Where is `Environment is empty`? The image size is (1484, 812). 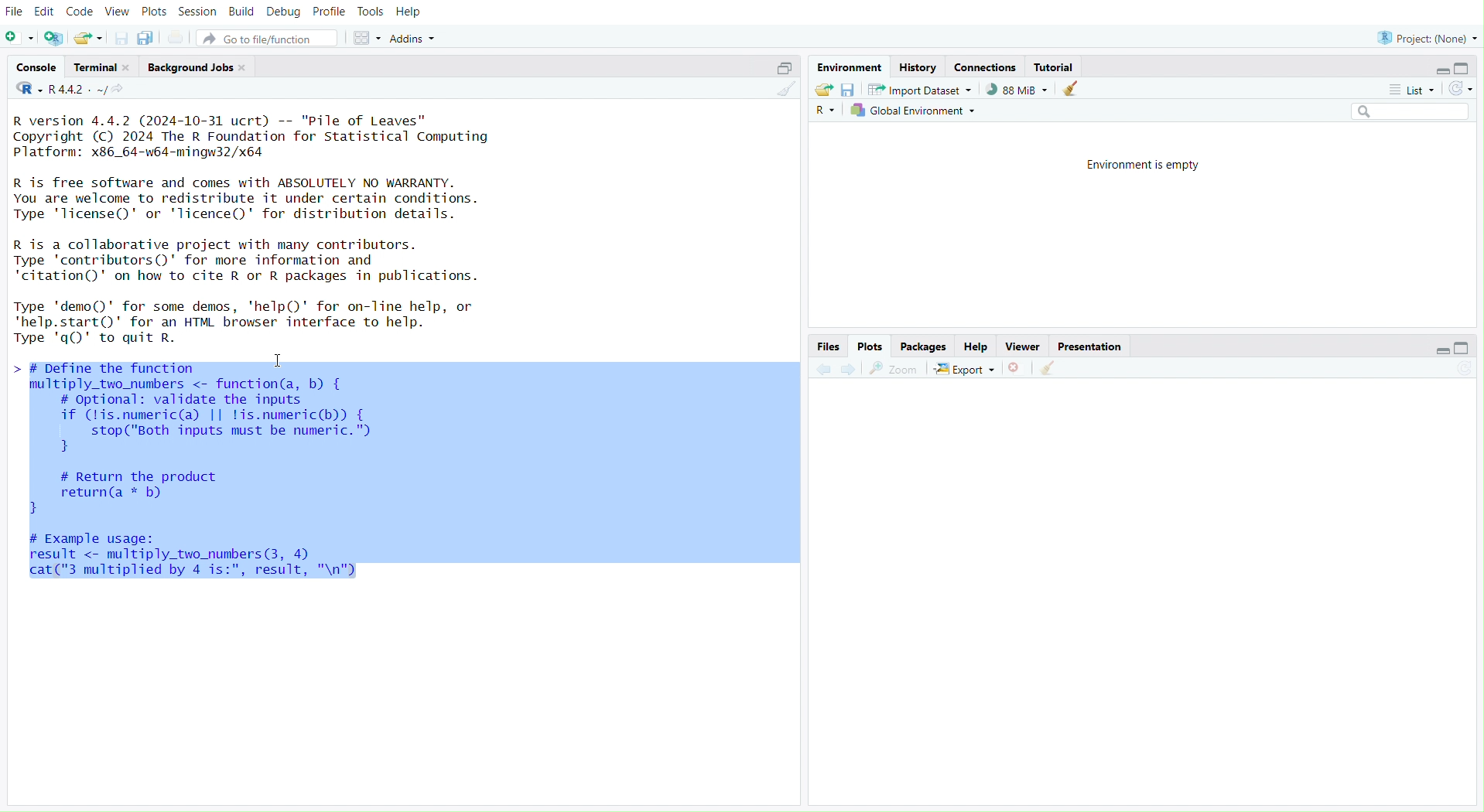
Environment is empty is located at coordinates (1149, 165).